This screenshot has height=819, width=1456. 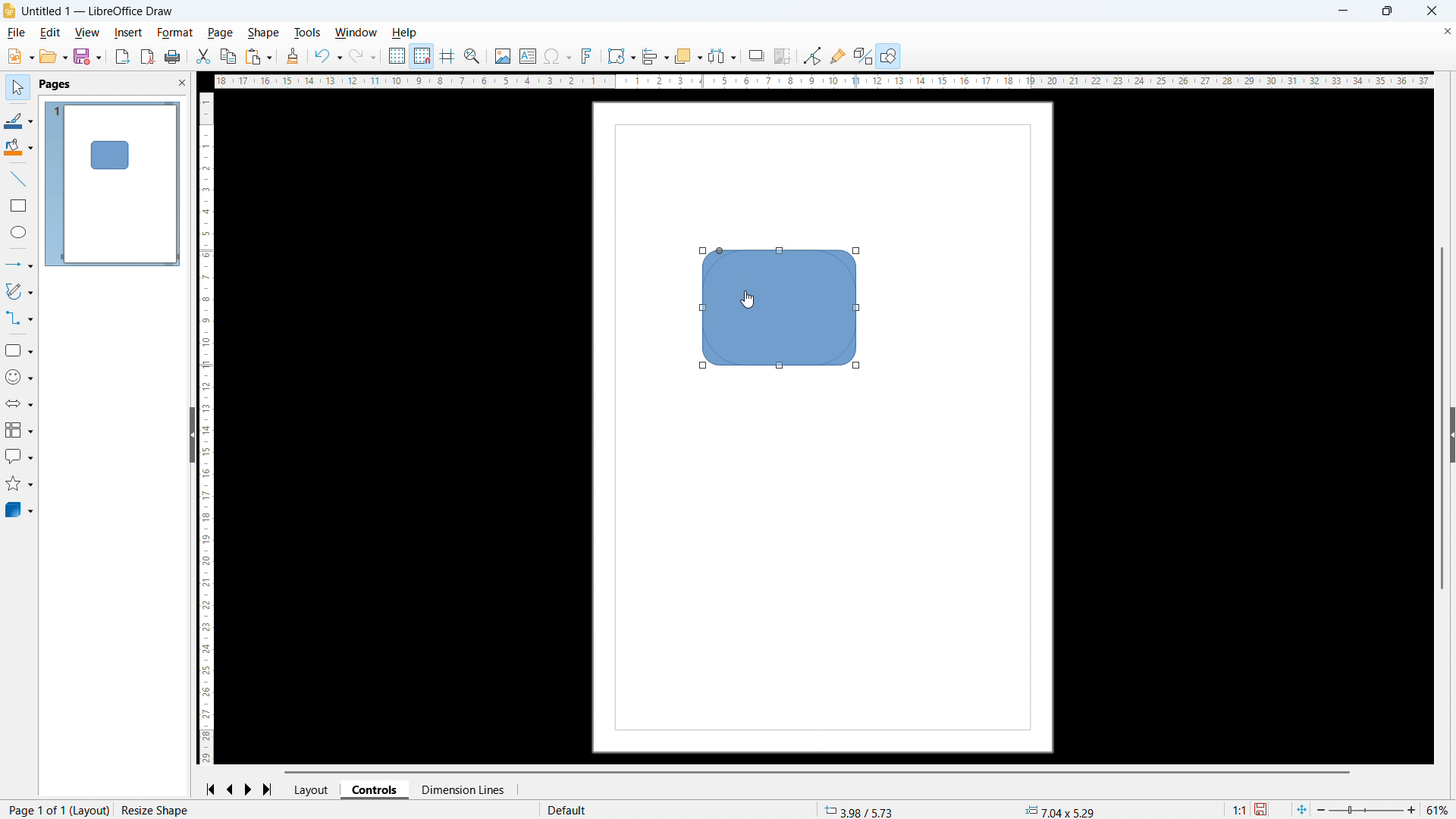 I want to click on Line colour , so click(x=18, y=120).